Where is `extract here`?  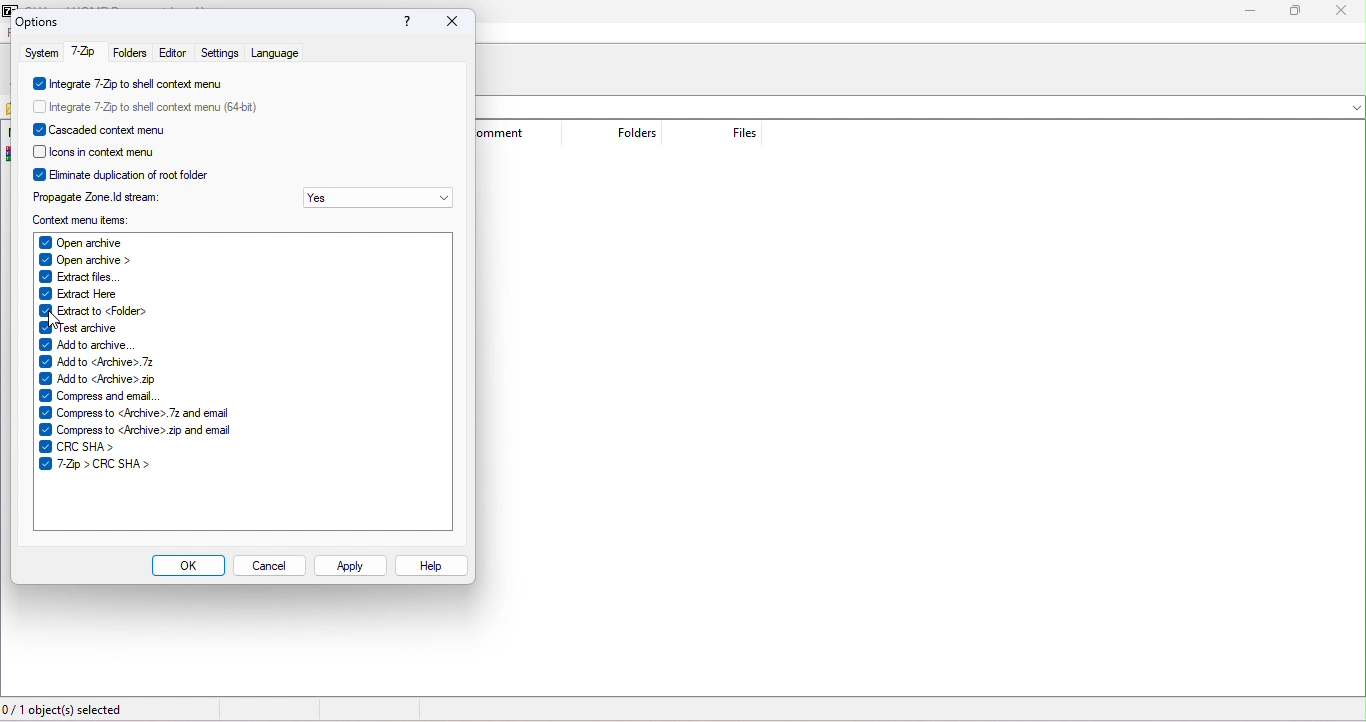
extract here is located at coordinates (88, 293).